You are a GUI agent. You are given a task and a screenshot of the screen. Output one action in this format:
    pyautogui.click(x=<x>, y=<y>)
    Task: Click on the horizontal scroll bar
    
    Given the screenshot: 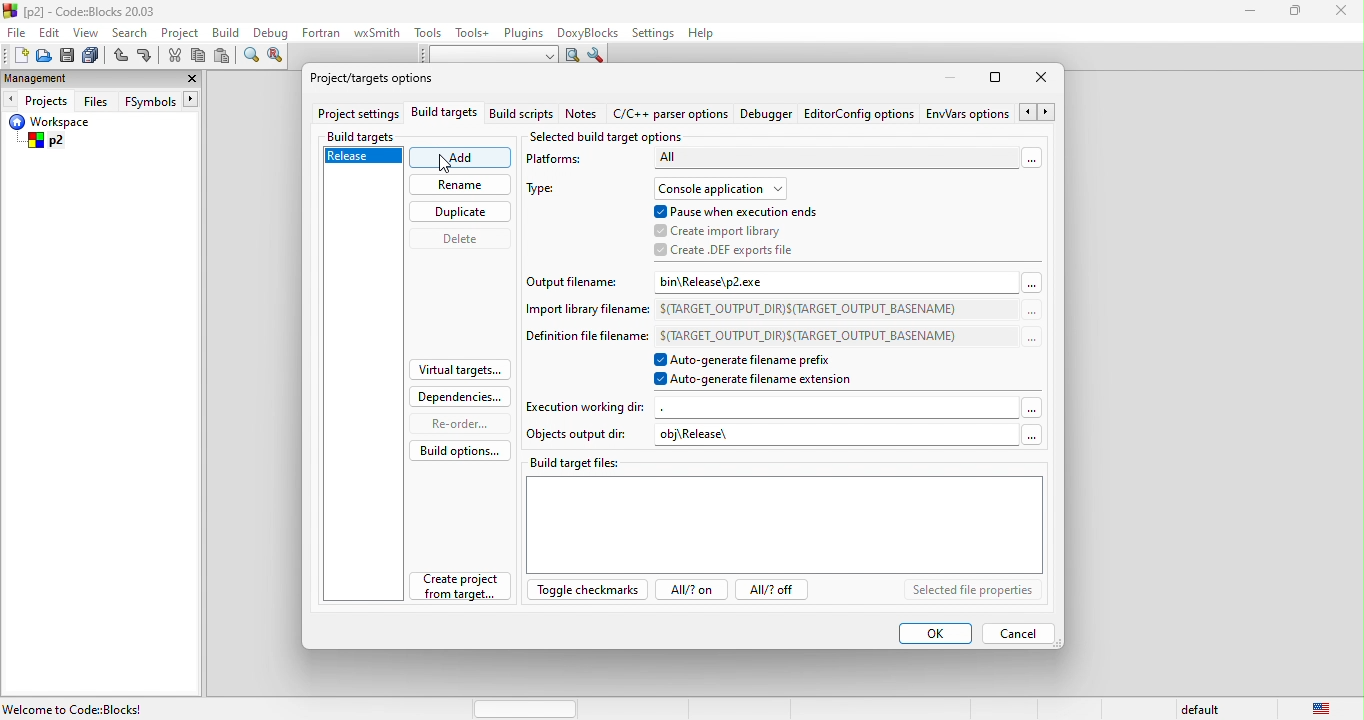 What is the action you would take?
    pyautogui.click(x=528, y=708)
    